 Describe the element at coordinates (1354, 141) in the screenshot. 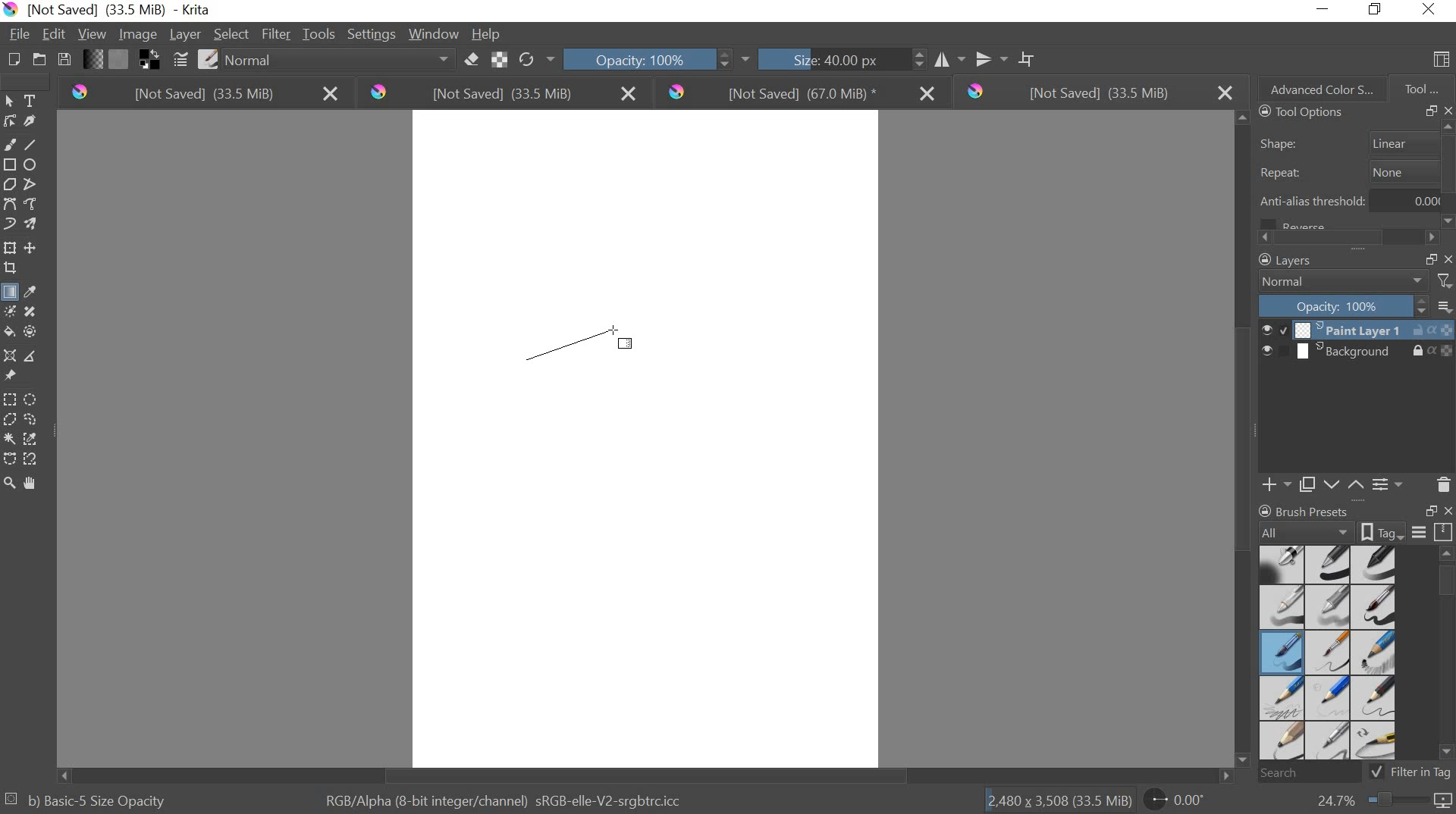

I see `shape linear` at that location.